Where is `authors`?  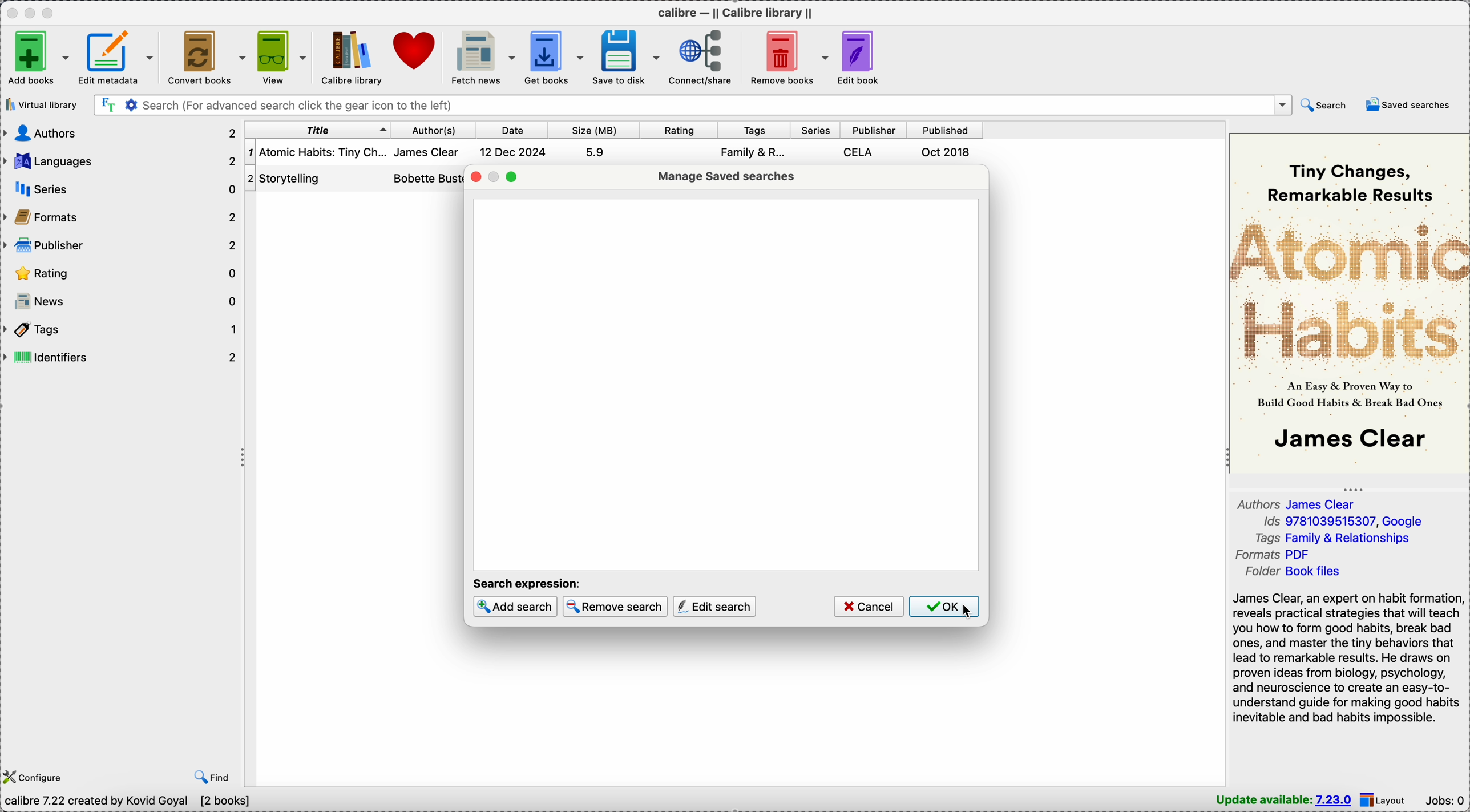
authors is located at coordinates (119, 132).